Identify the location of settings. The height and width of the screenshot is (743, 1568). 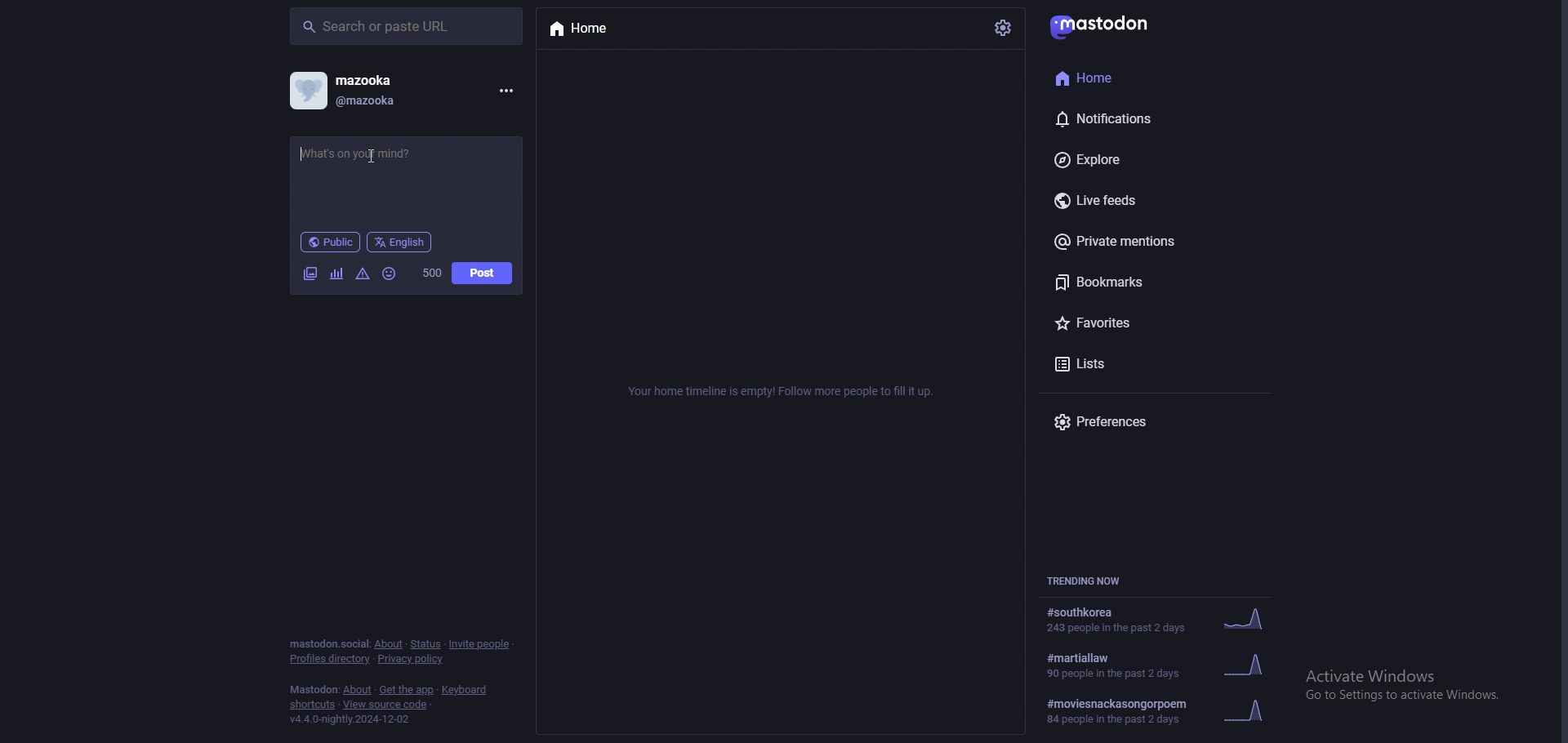
(1001, 29).